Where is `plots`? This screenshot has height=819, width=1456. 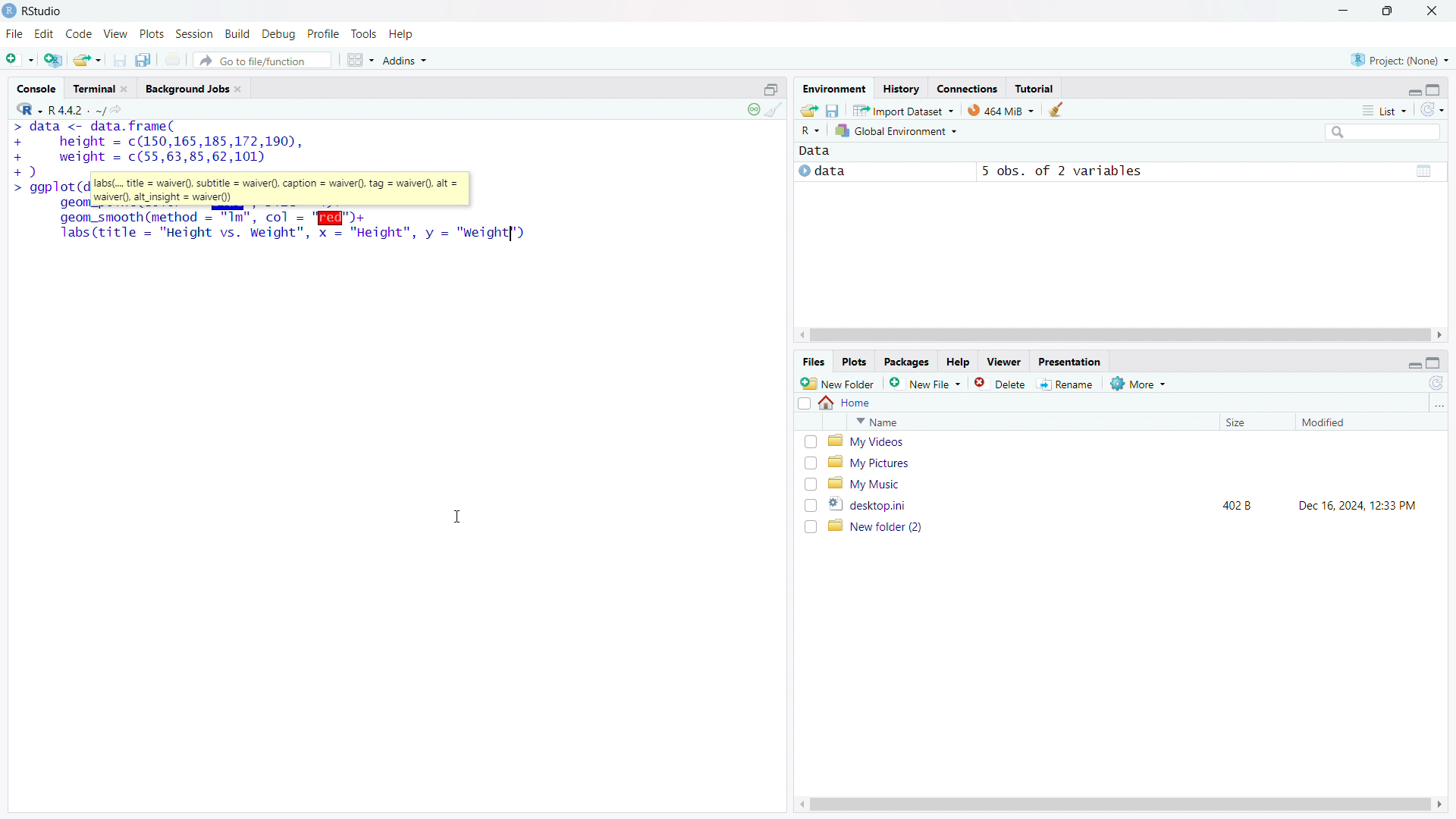 plots is located at coordinates (855, 362).